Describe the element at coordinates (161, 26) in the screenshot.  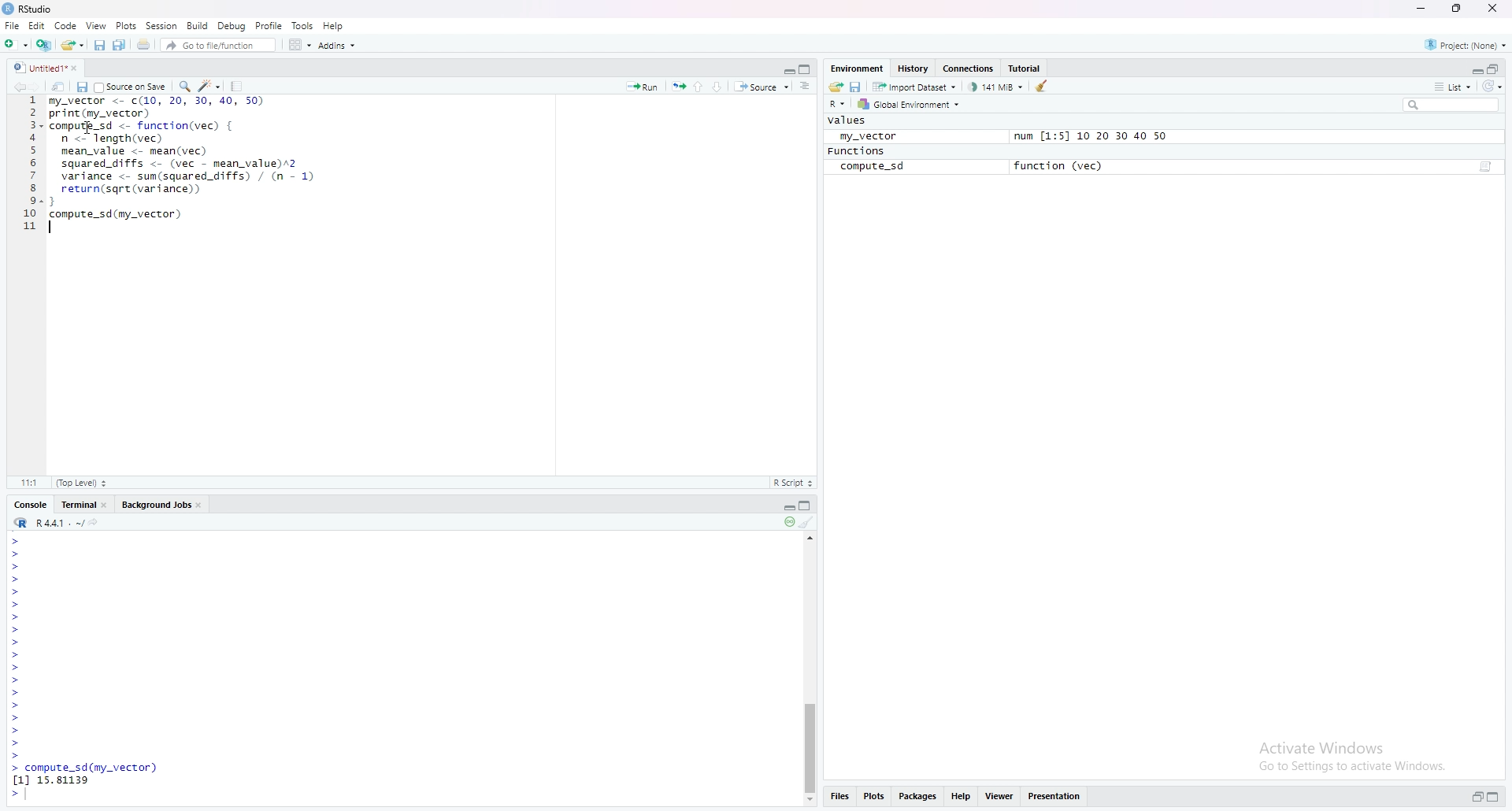
I see `Session` at that location.